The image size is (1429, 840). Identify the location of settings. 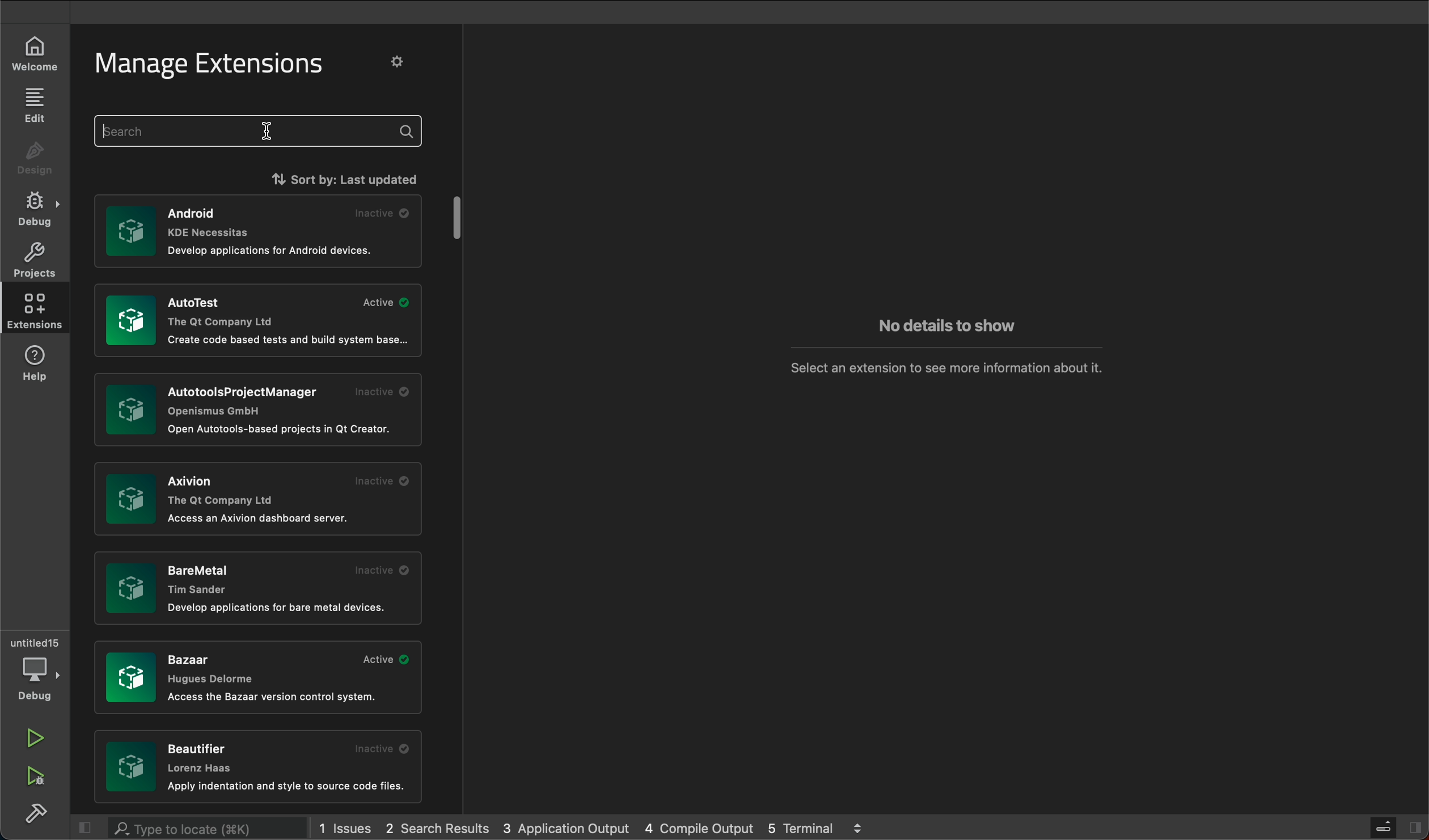
(399, 61).